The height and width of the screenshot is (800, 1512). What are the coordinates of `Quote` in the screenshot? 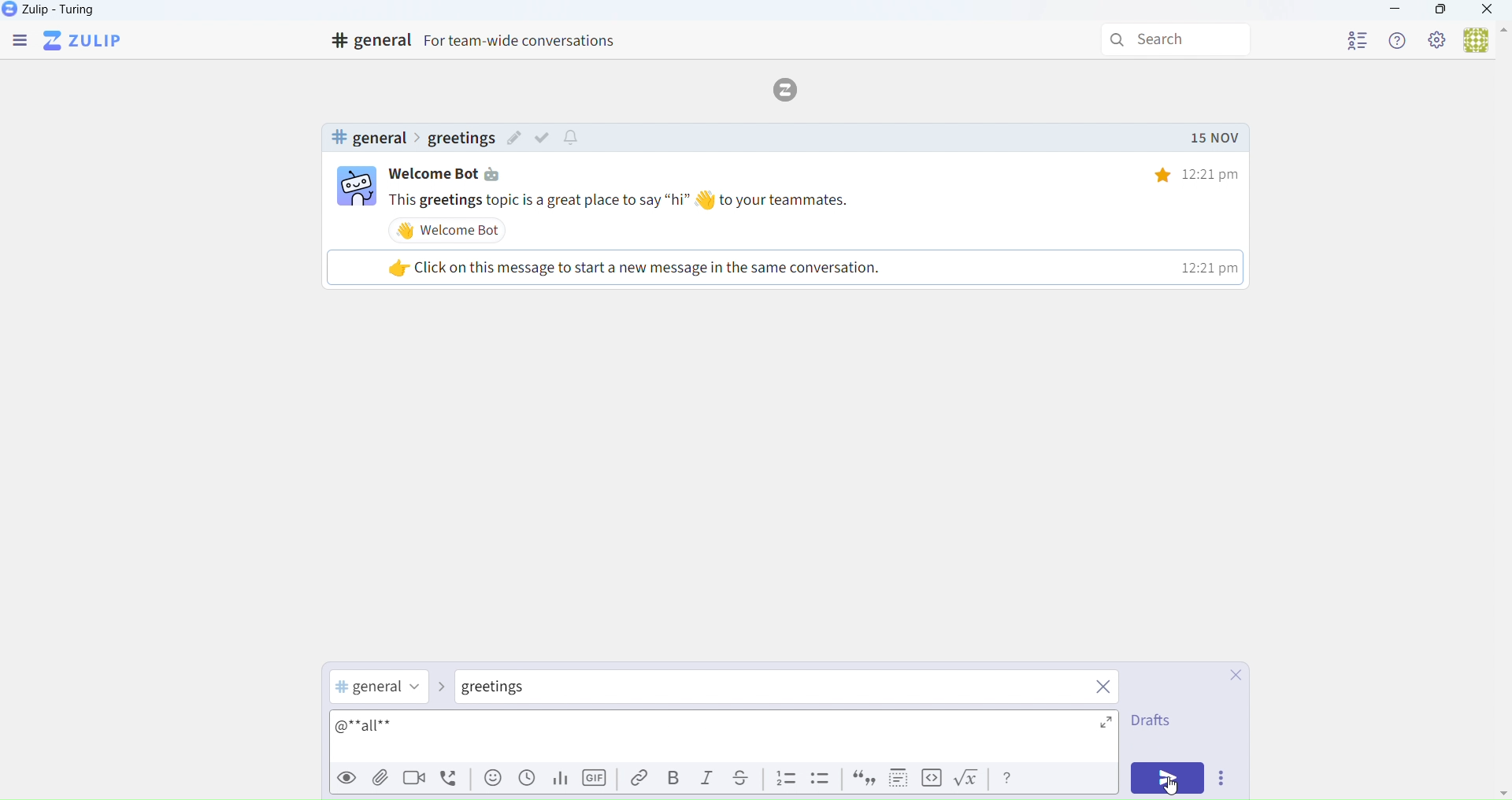 It's located at (862, 780).